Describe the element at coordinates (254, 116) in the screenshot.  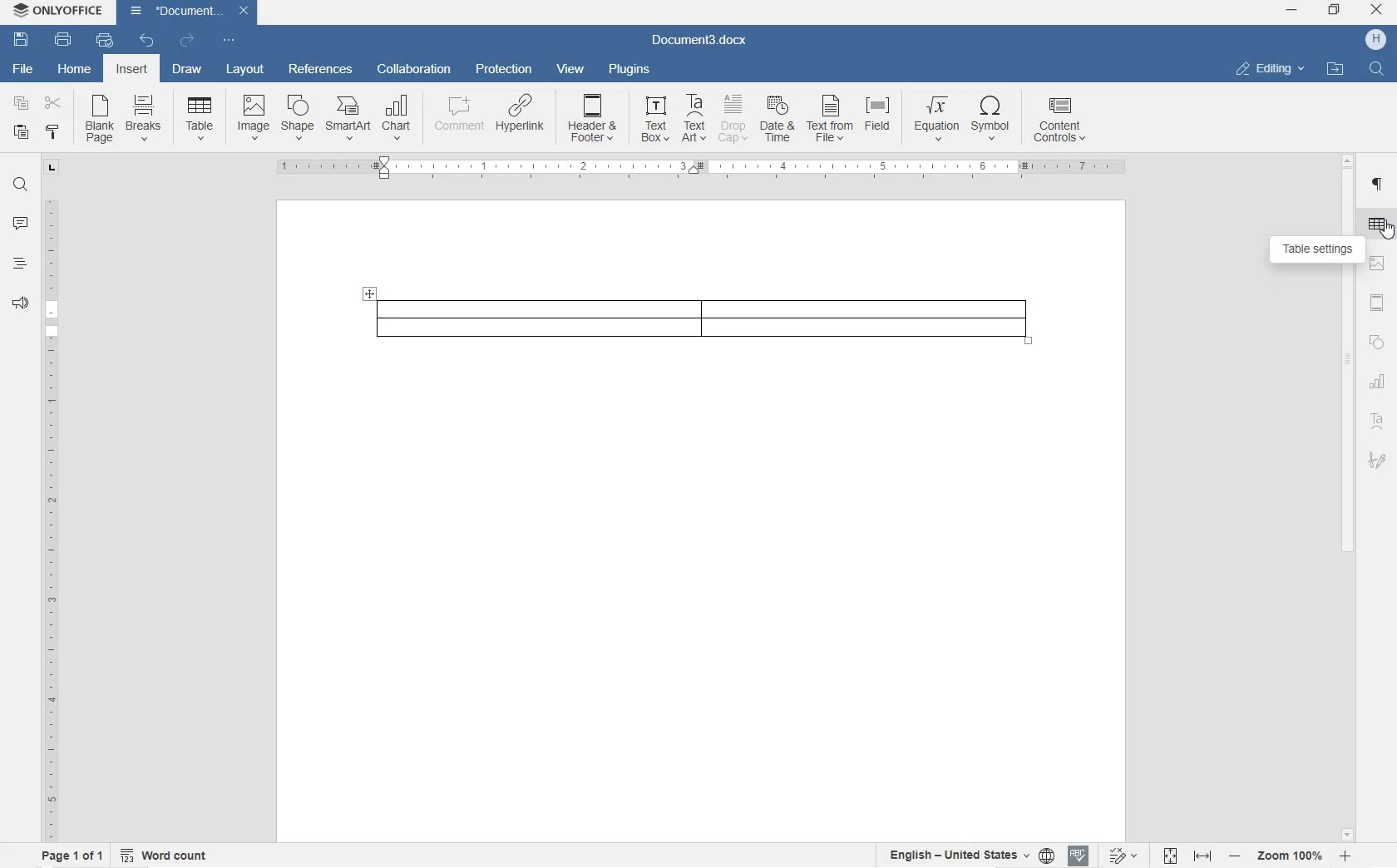
I see `Image` at that location.